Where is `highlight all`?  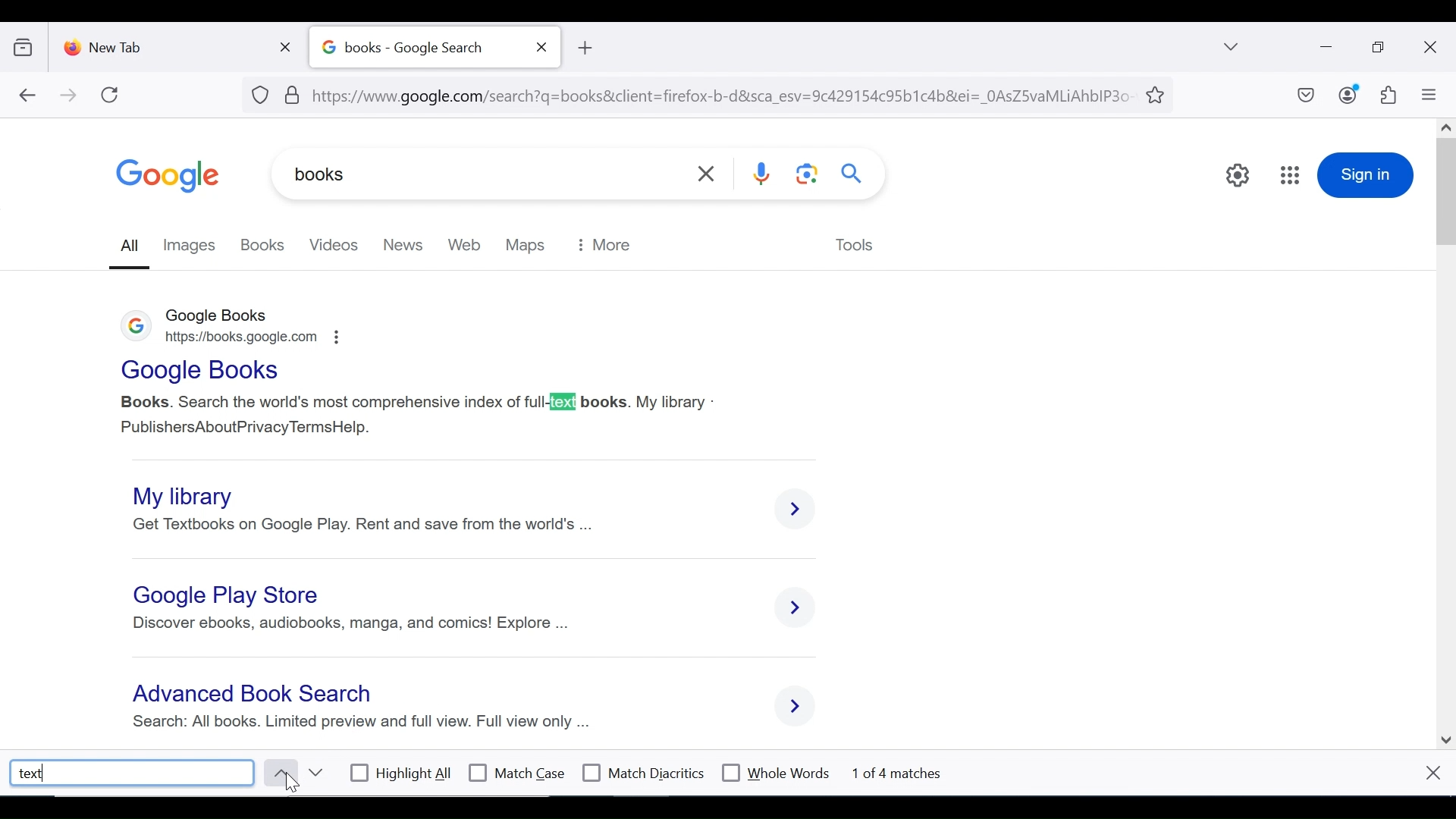 highlight all is located at coordinates (402, 775).